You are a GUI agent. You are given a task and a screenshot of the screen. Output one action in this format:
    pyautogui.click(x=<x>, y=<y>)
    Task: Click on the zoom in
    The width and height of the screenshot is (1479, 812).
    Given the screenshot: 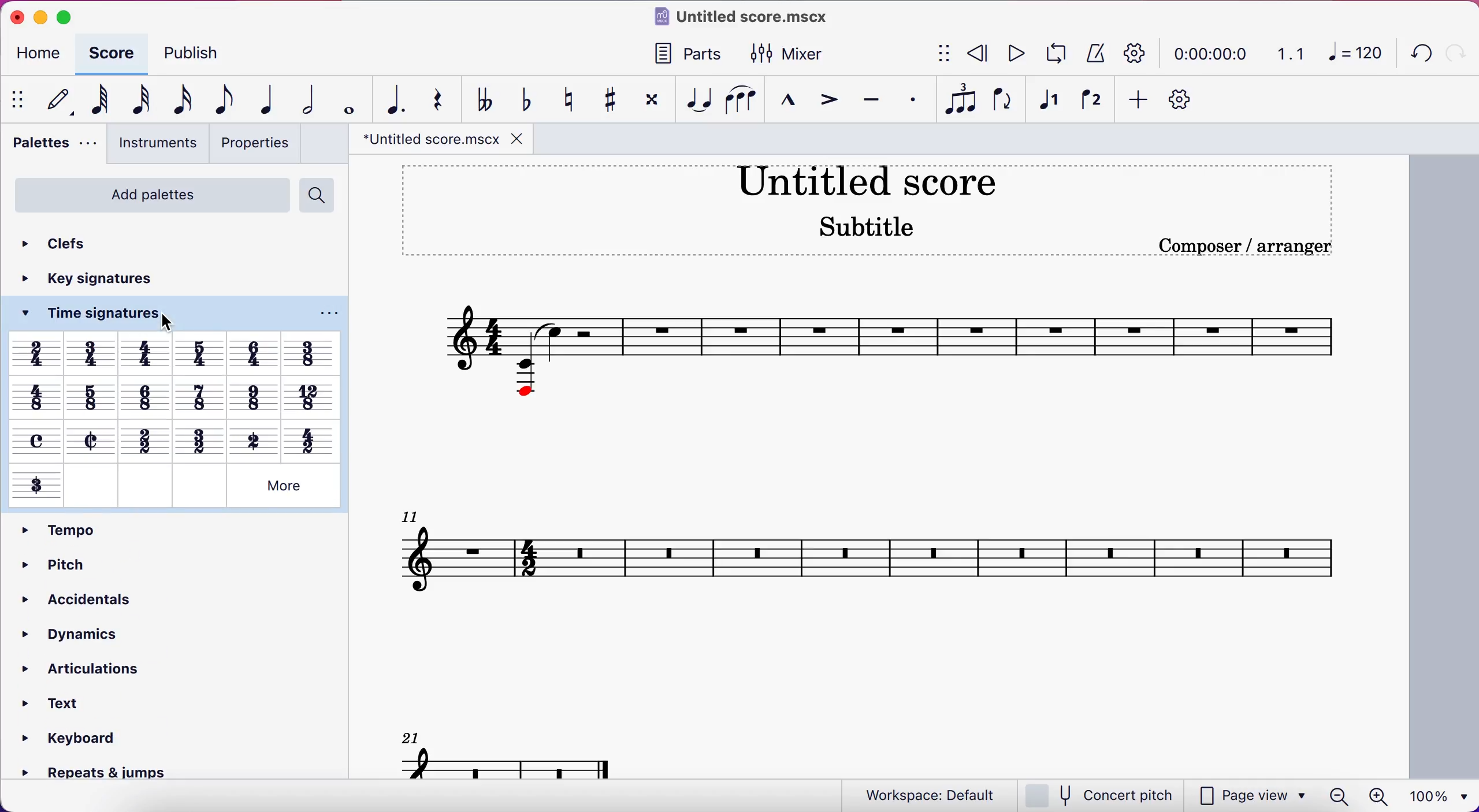 What is the action you would take?
    pyautogui.click(x=1382, y=796)
    